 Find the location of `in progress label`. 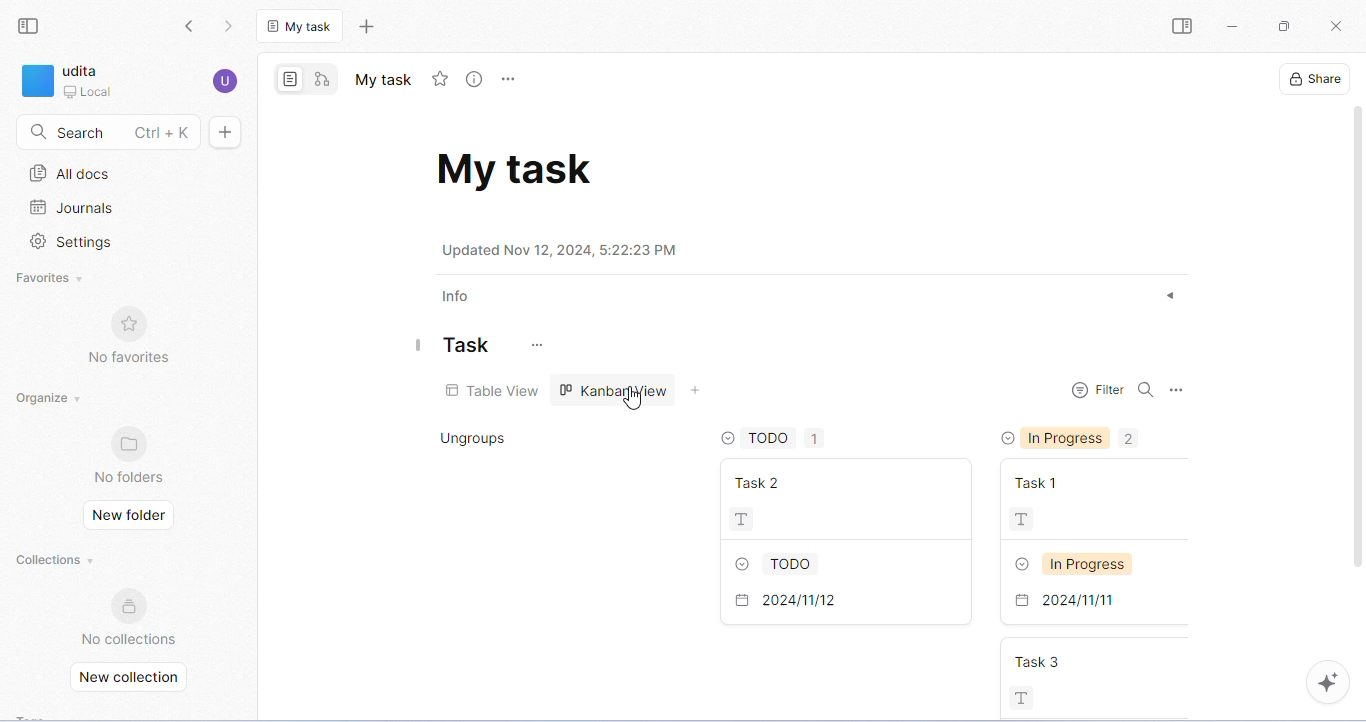

in progress label is located at coordinates (1083, 439).